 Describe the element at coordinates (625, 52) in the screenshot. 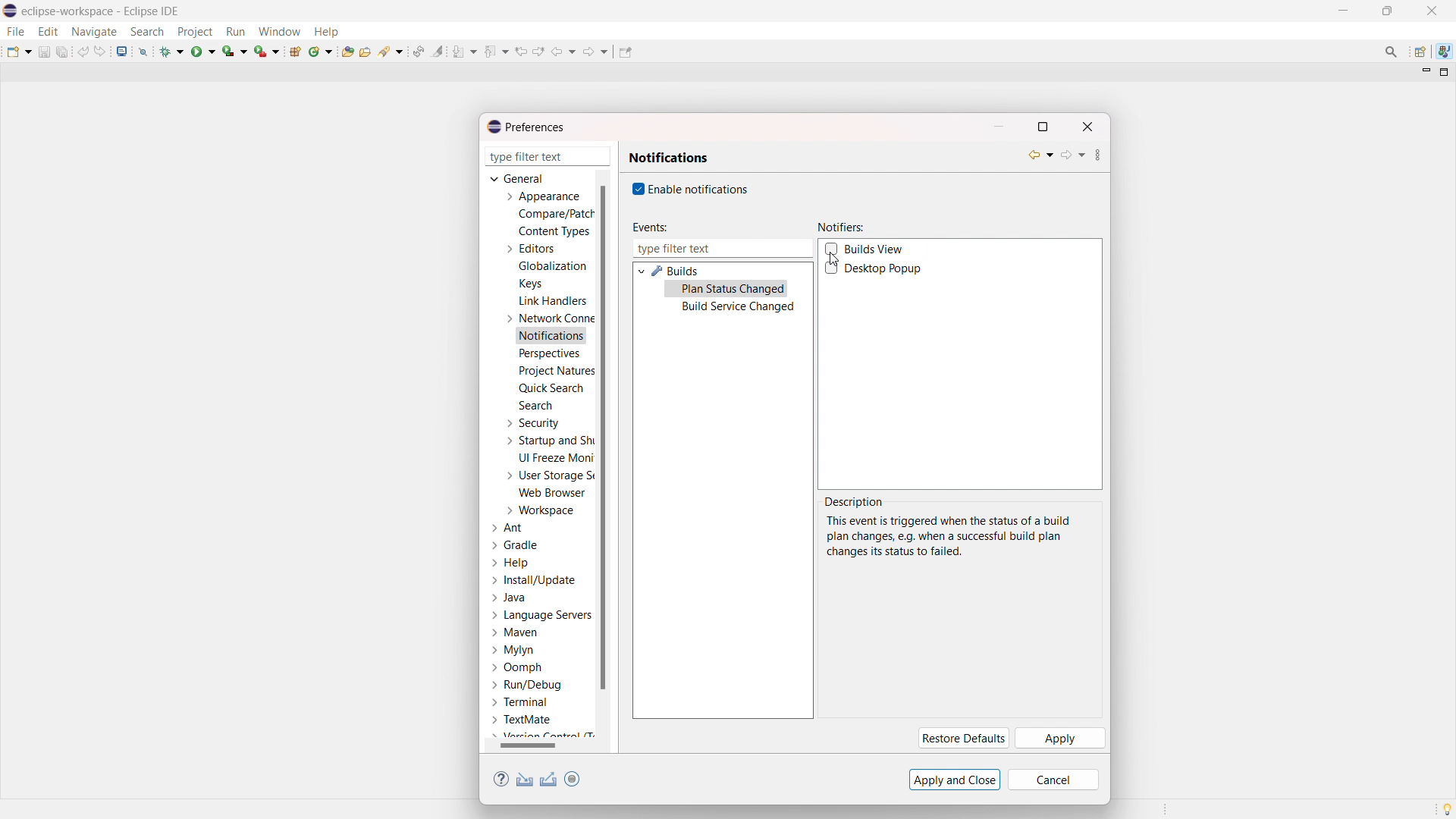

I see `pin editor` at that location.